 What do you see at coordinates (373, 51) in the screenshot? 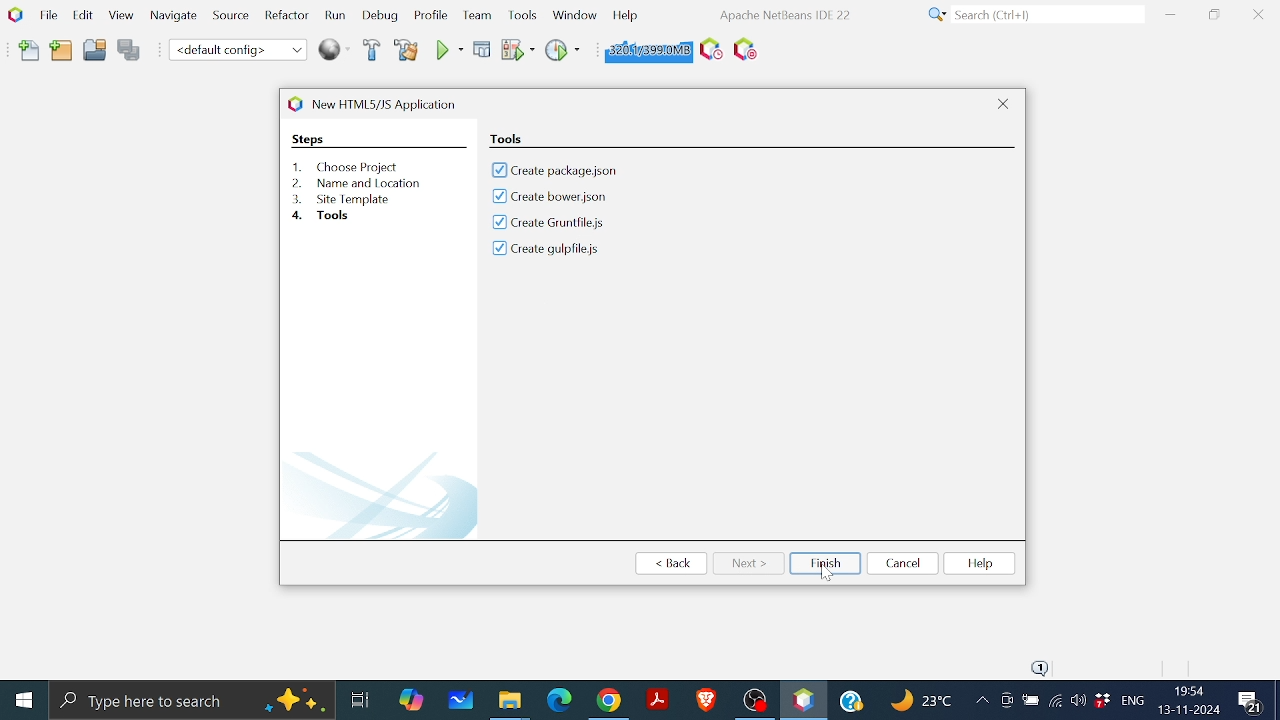
I see `Build project` at bounding box center [373, 51].